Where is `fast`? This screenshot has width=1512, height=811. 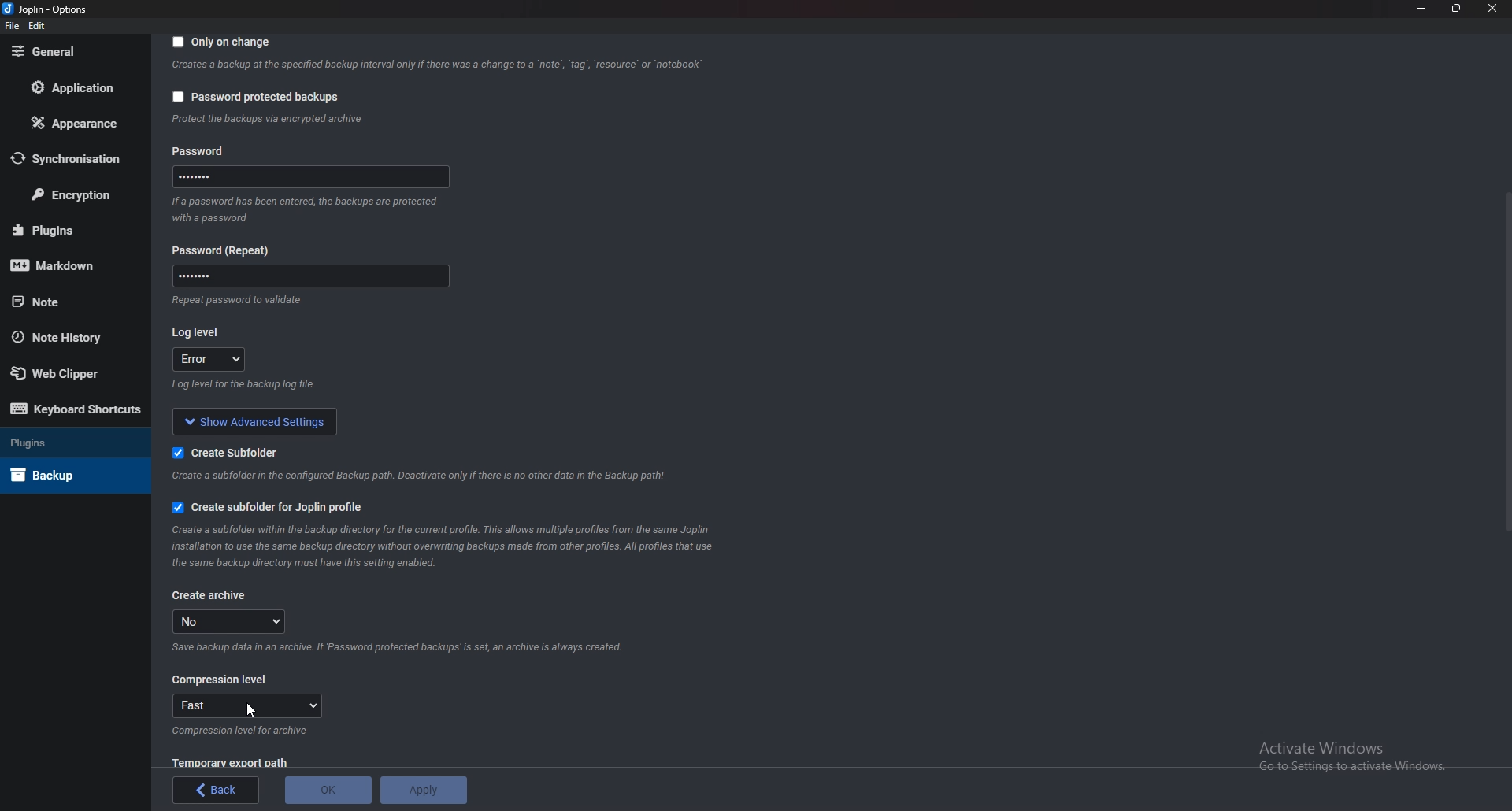
fast is located at coordinates (249, 705).